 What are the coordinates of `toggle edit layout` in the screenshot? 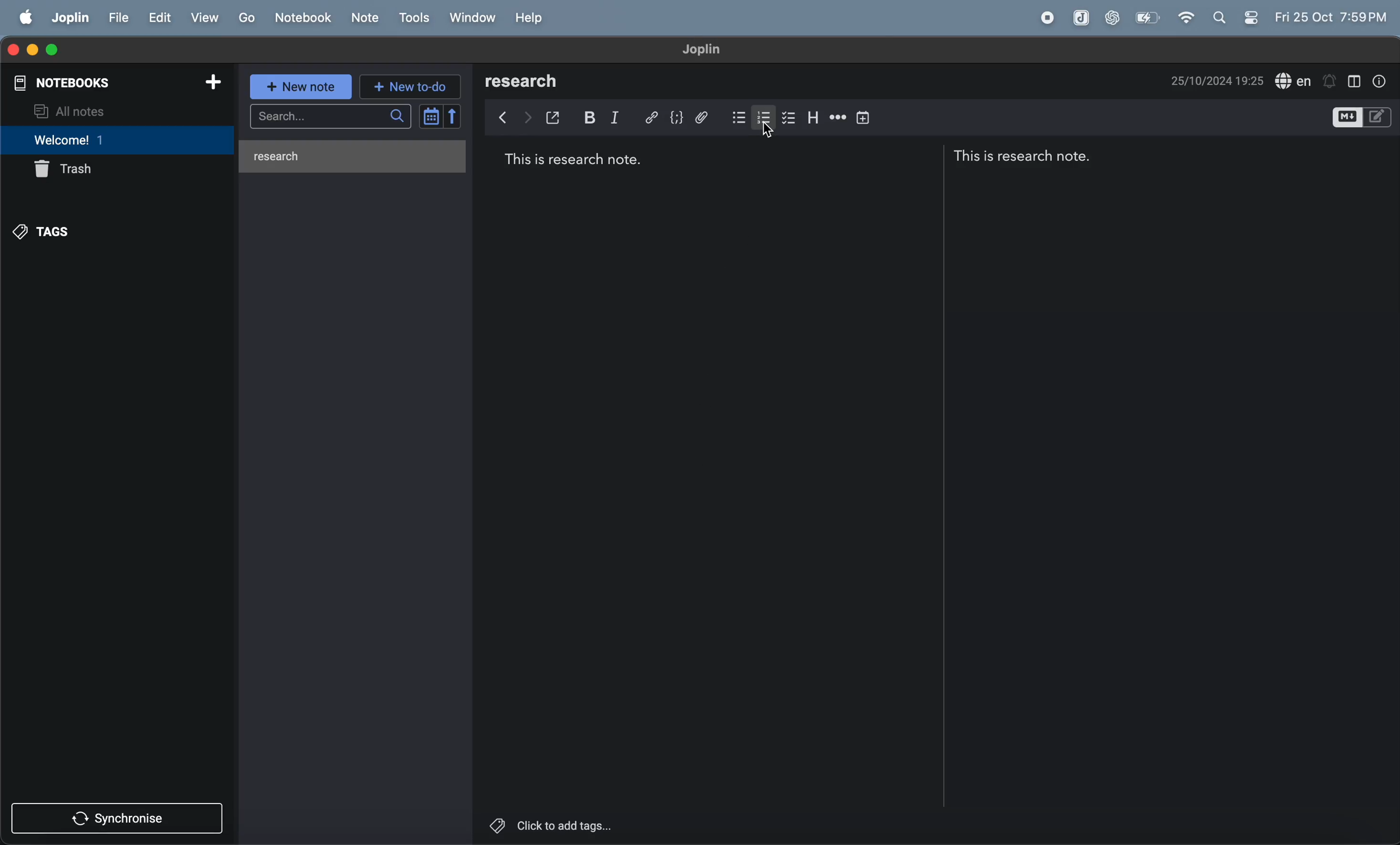 It's located at (1353, 80).